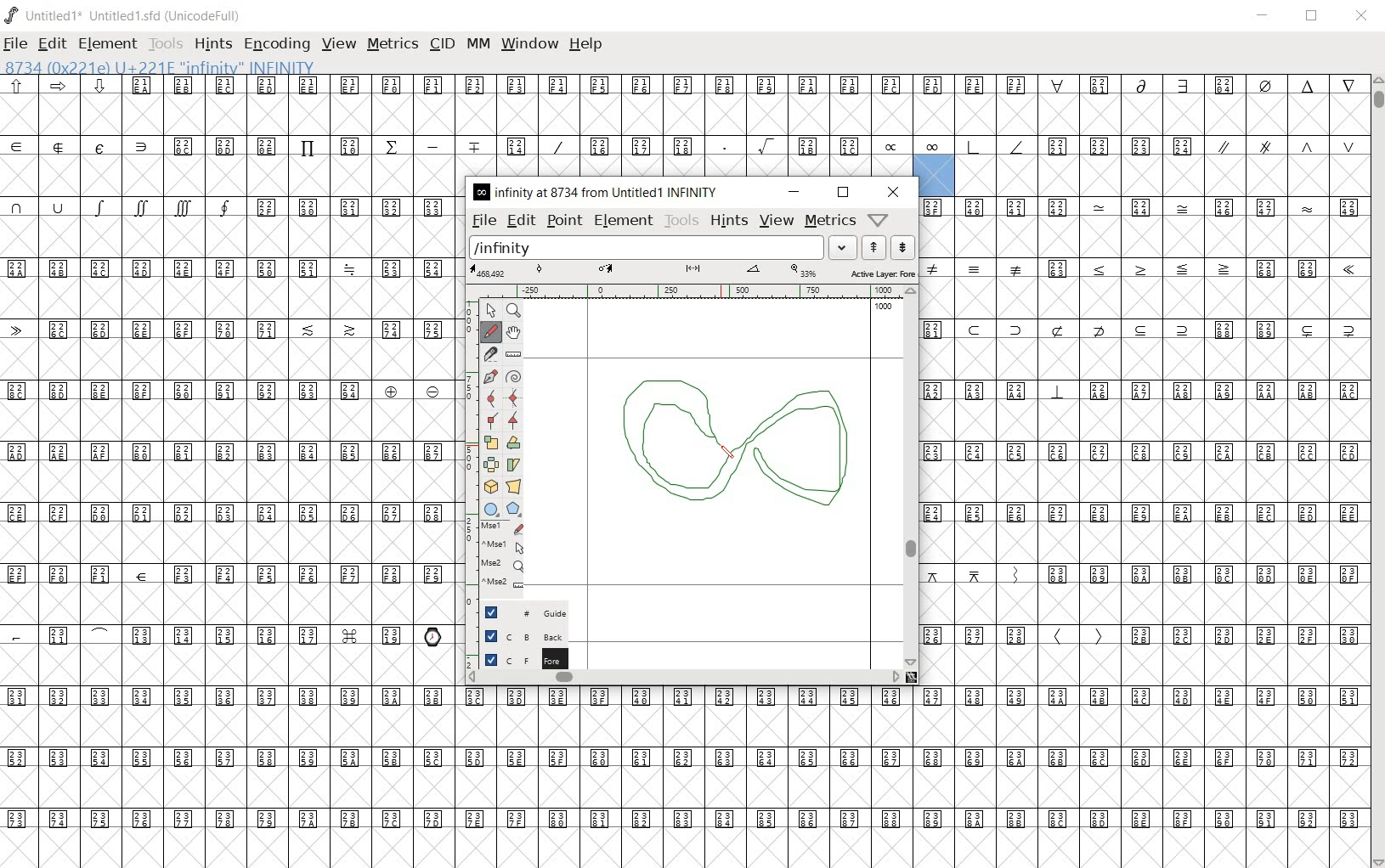 The width and height of the screenshot is (1385, 868). What do you see at coordinates (1143, 541) in the screenshot?
I see `empty glyph slots` at bounding box center [1143, 541].